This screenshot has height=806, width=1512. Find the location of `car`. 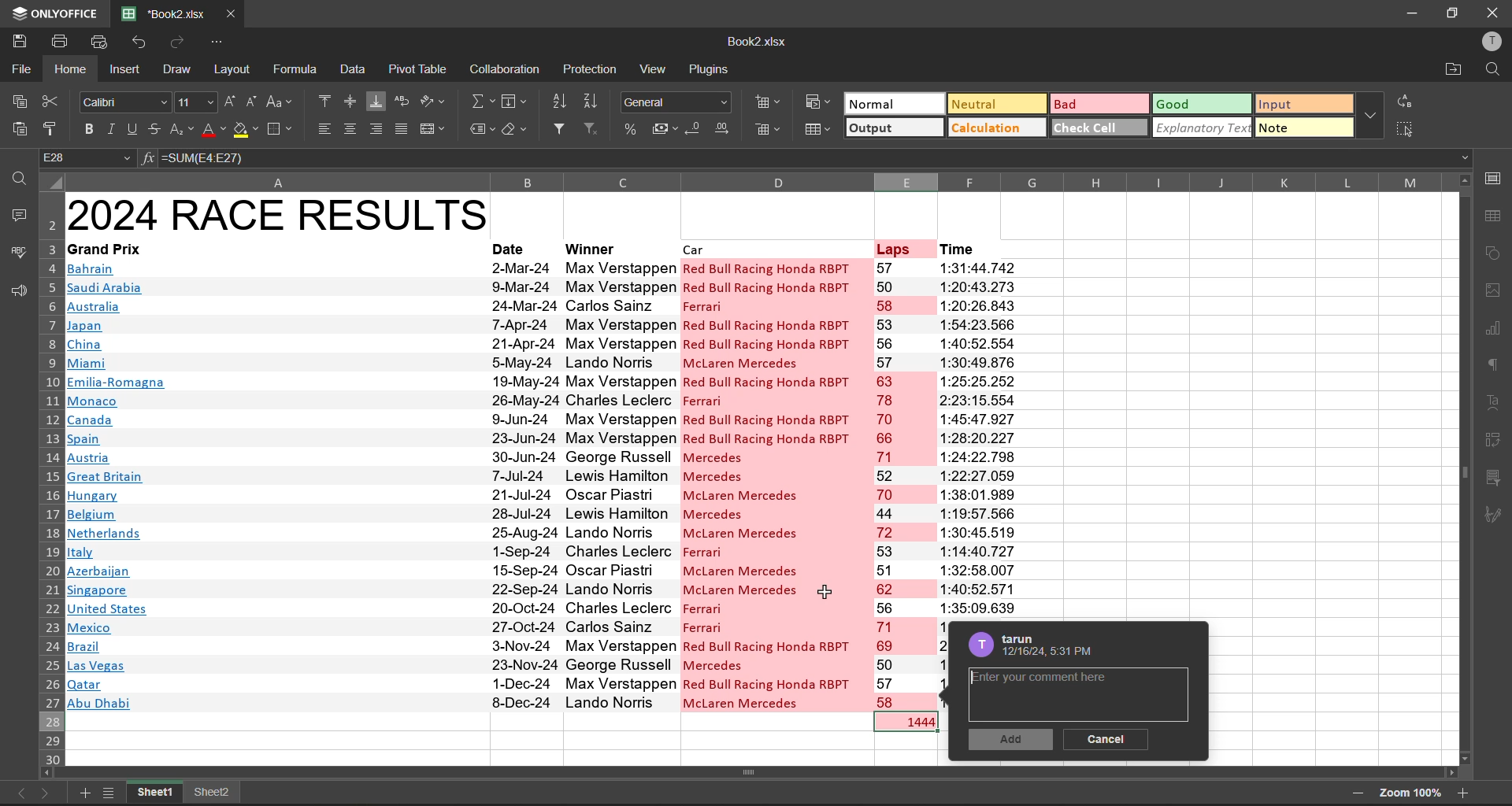

car is located at coordinates (699, 248).